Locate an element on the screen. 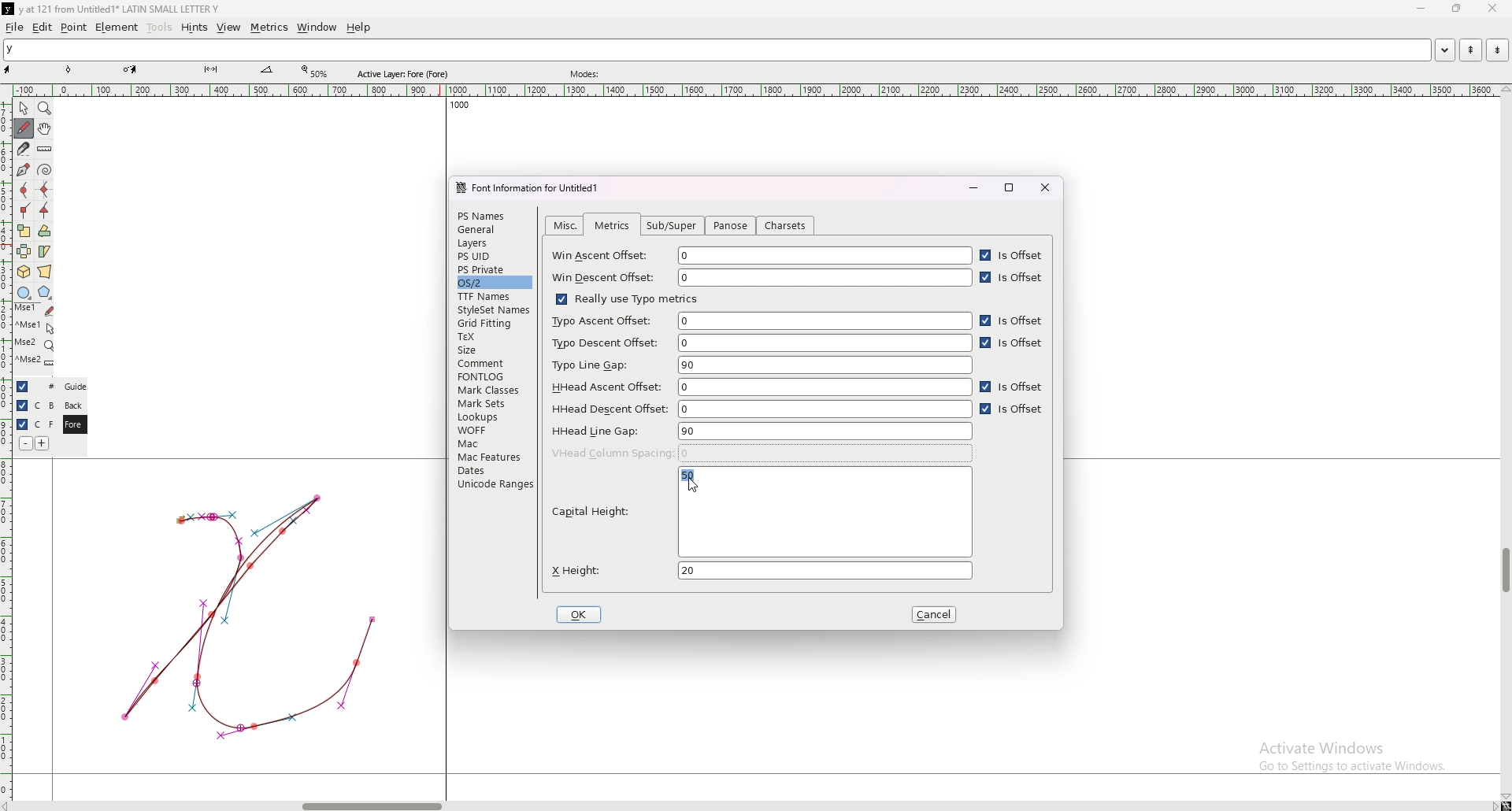 The height and width of the screenshot is (811, 1512). y is located at coordinates (717, 50).